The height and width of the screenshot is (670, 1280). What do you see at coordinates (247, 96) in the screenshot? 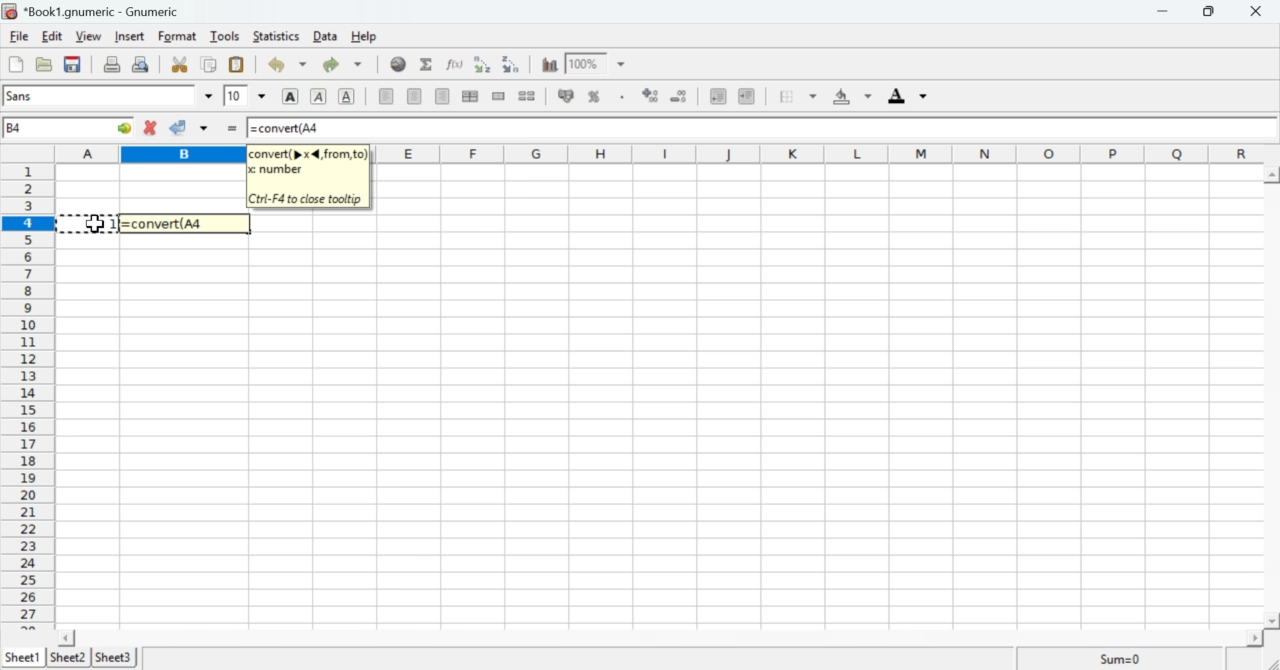
I see `Font Size` at bounding box center [247, 96].